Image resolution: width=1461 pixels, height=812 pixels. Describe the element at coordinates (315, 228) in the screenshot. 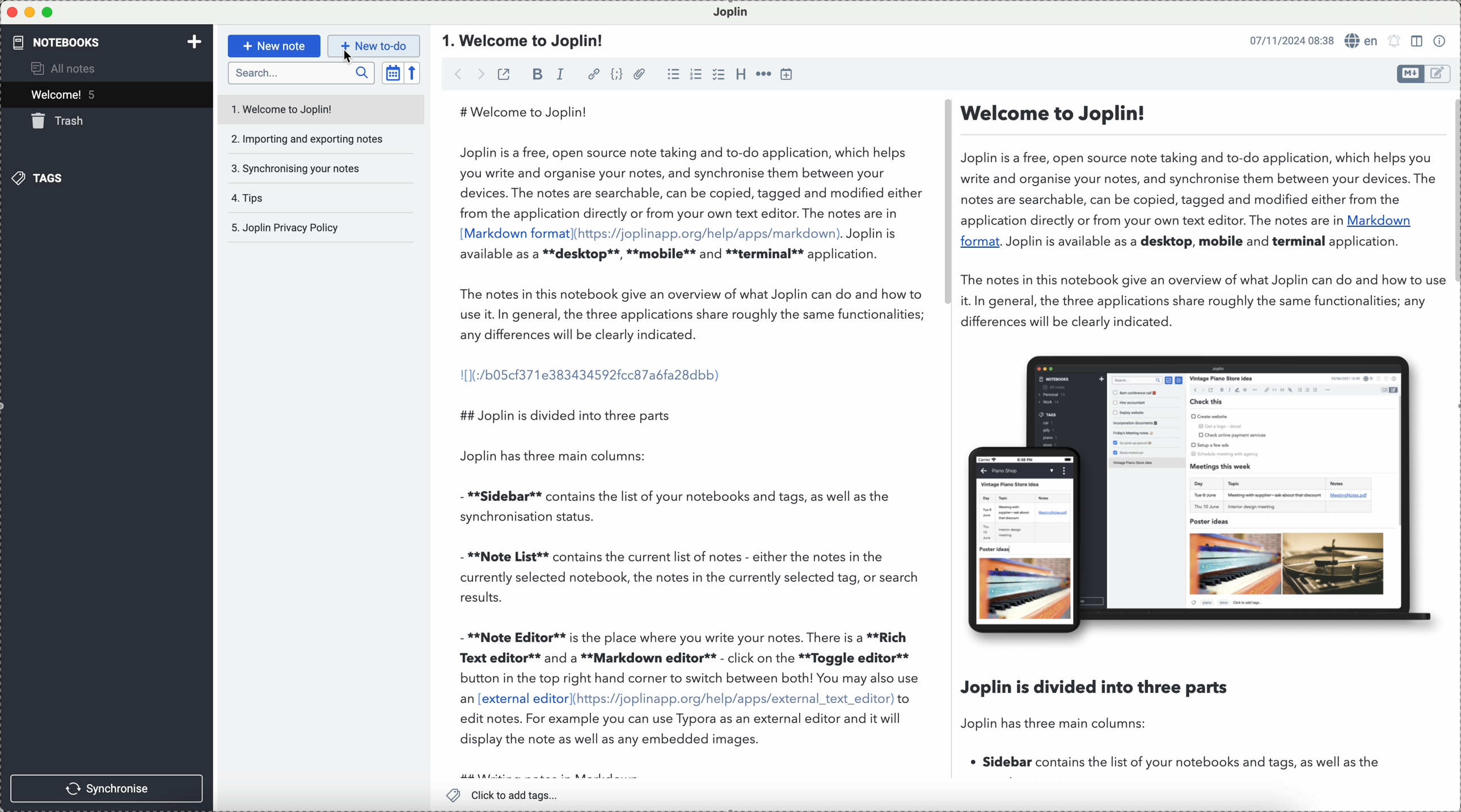

I see `Joplin privacy policy` at that location.